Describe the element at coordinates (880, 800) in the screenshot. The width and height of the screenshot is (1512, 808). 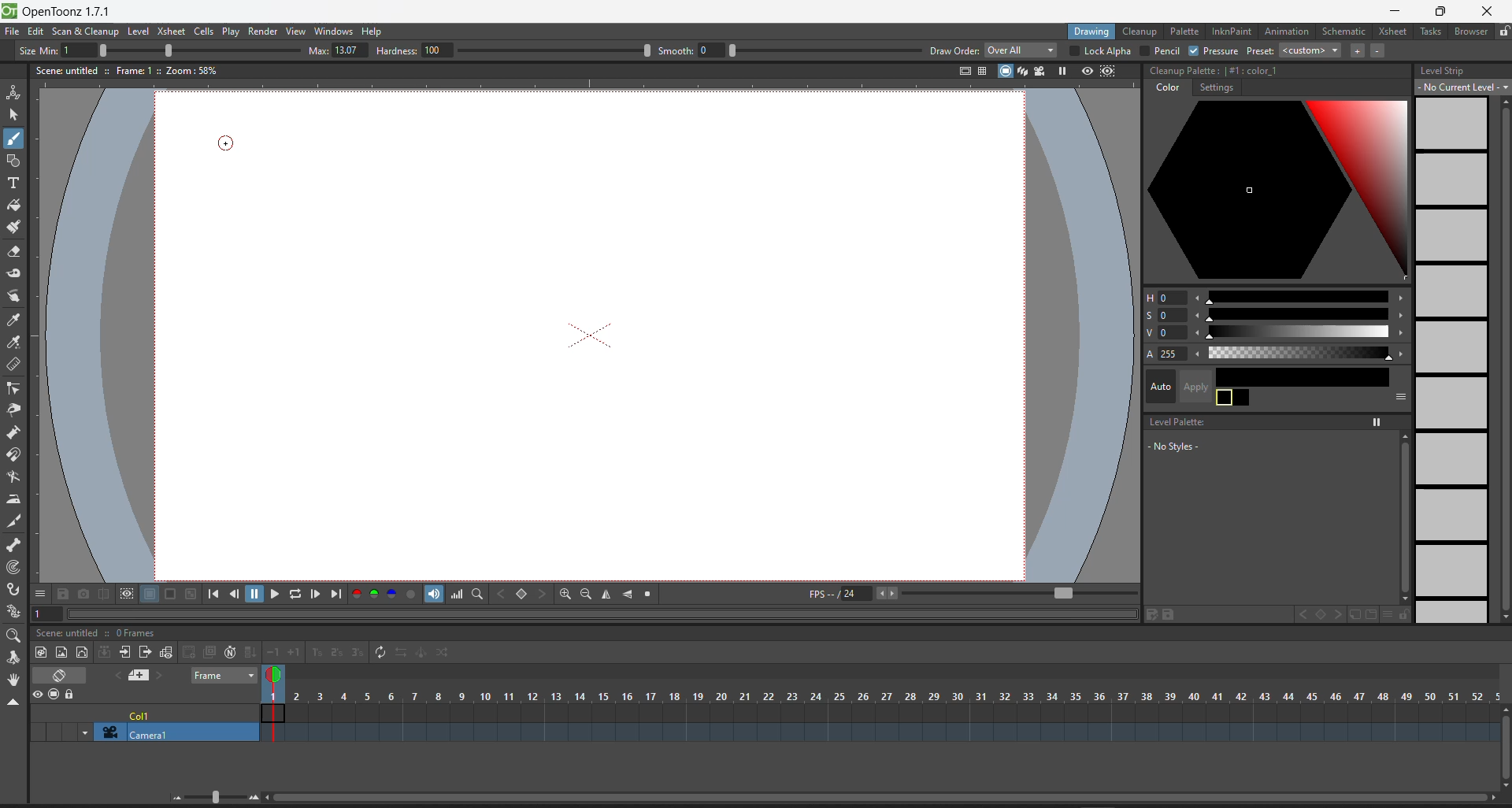
I see `horizontal scroll bar` at that location.